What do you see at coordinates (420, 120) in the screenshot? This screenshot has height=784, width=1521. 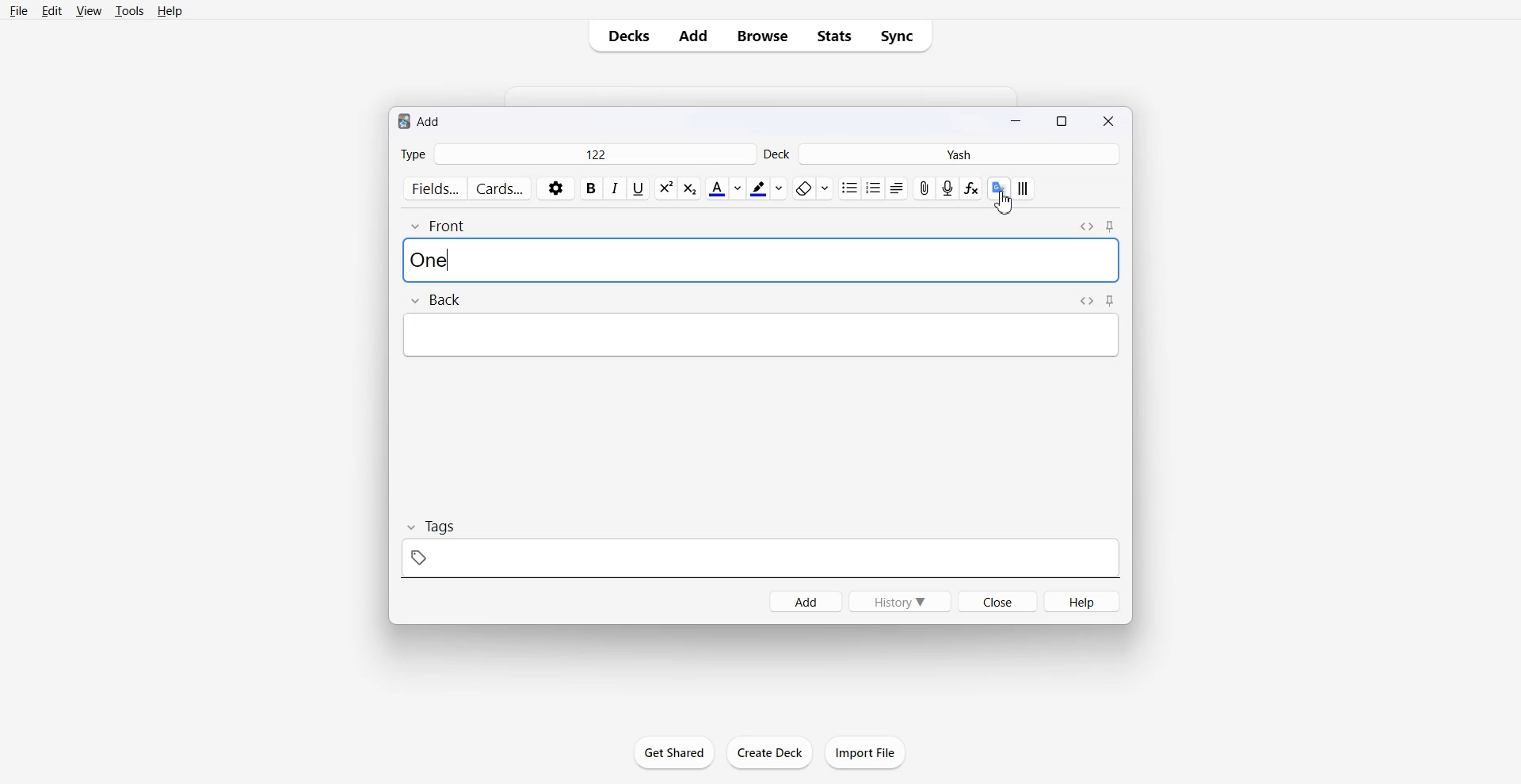 I see `Text` at bounding box center [420, 120].